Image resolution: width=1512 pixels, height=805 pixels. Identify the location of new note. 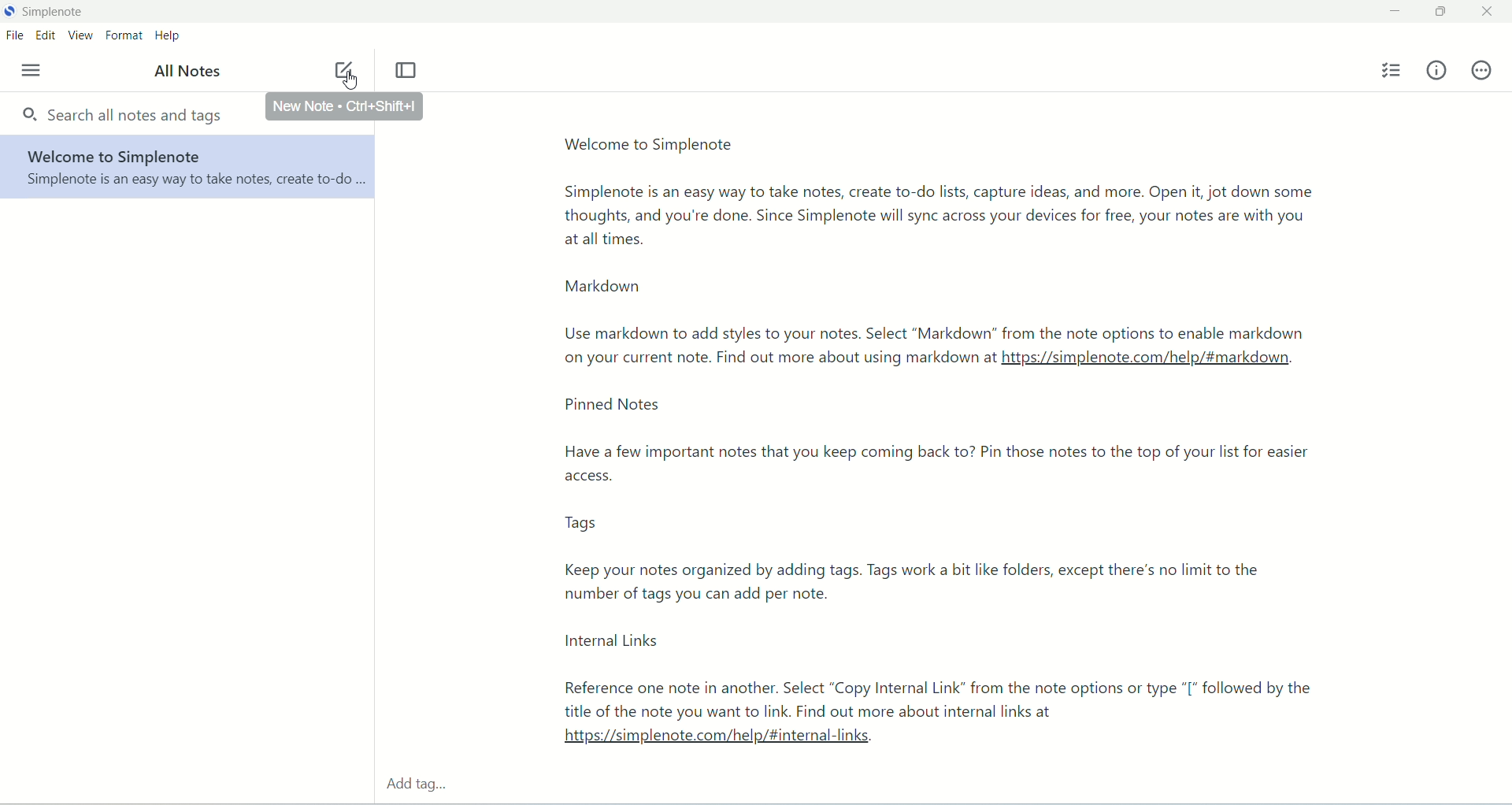
(341, 66).